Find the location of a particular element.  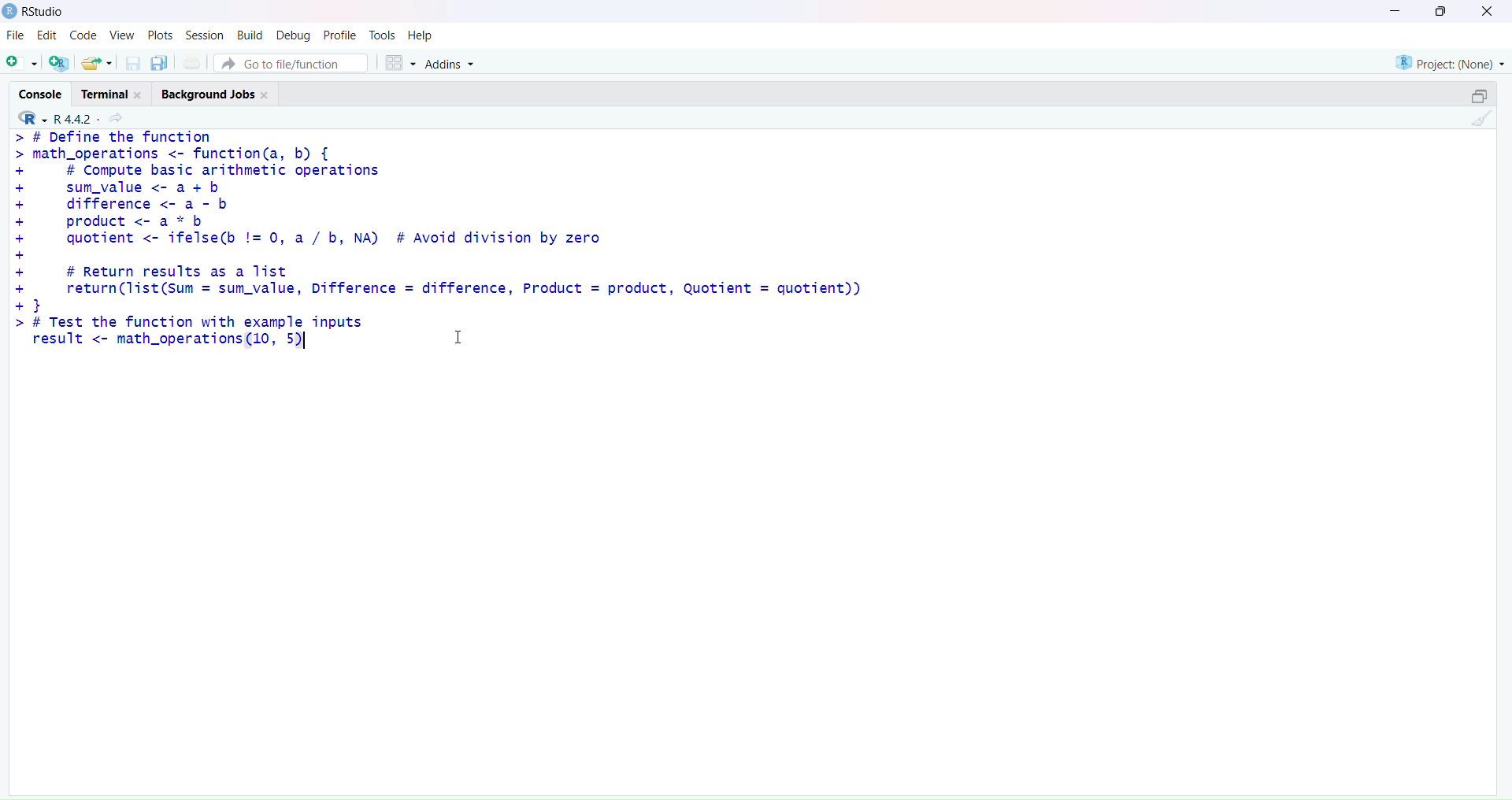

- # Define the function
~ math_operations <- function(a, b) {
- # Compute basic arithmetic operations
- sum_value <- a + b
- difference <- a - b
- product <- a * b
- quotient <- ifelse(b != 0, a / b, NA) # Avoid division by zero
)
- # Return results as a Tist
- return(1ist(Sum = sum_value, Difference = difference, Product = product, Quotient = quotient))
3
- # Test the function with example inputs
result <- math_operations (10, 5)| I is located at coordinates (434, 246).